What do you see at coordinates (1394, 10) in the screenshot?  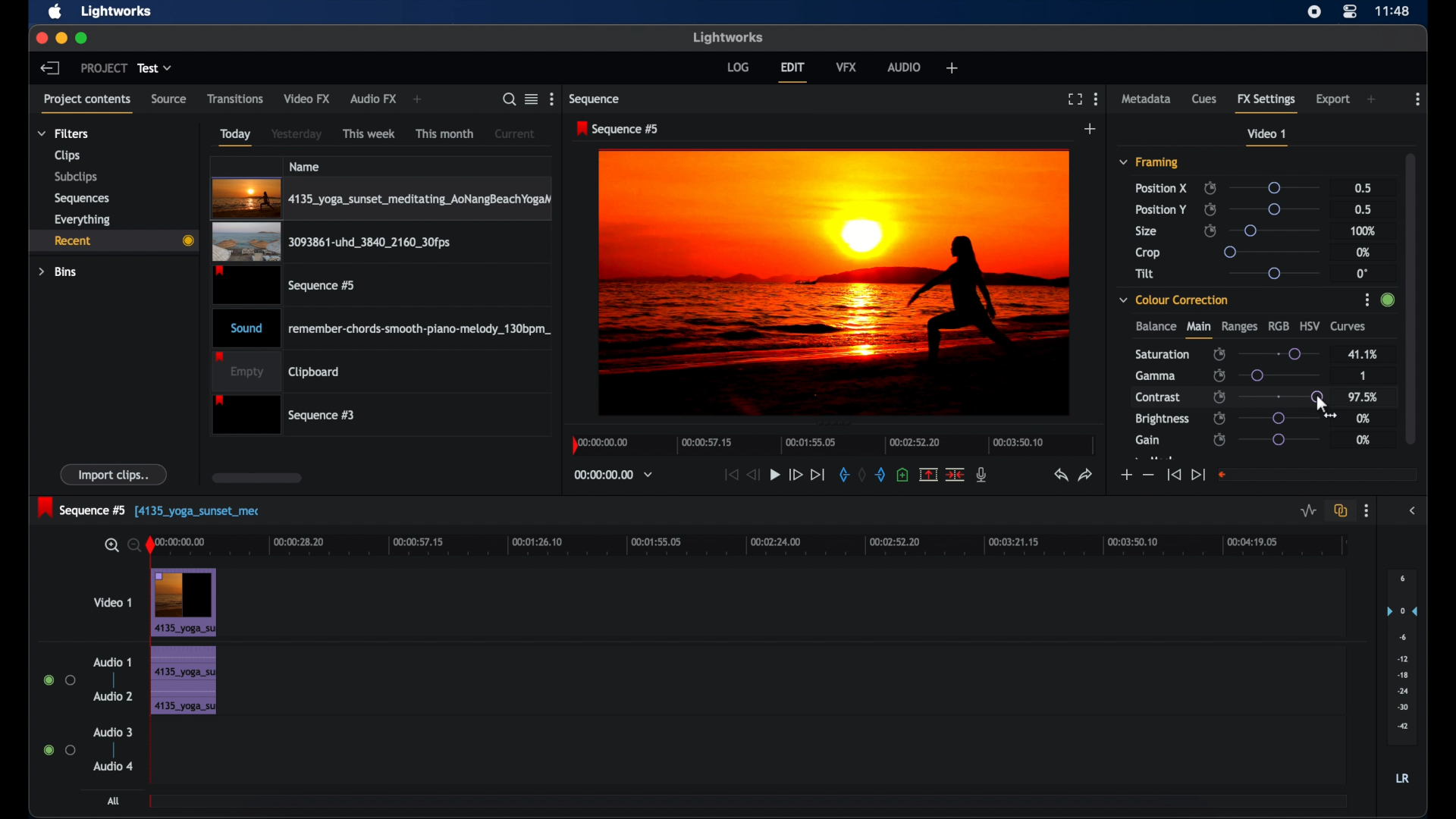 I see `time` at bounding box center [1394, 10].